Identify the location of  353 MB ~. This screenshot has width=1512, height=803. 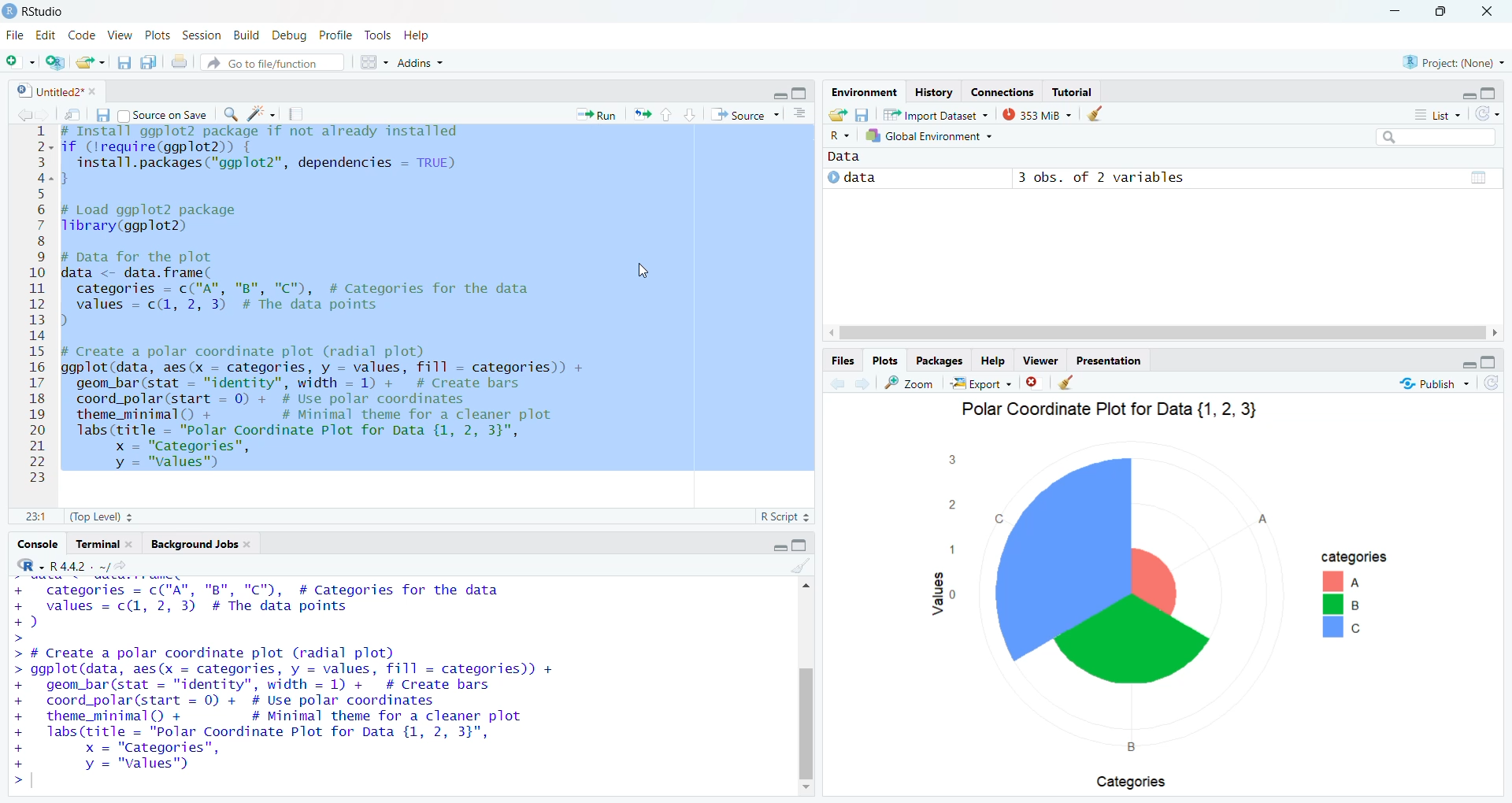
(1036, 115).